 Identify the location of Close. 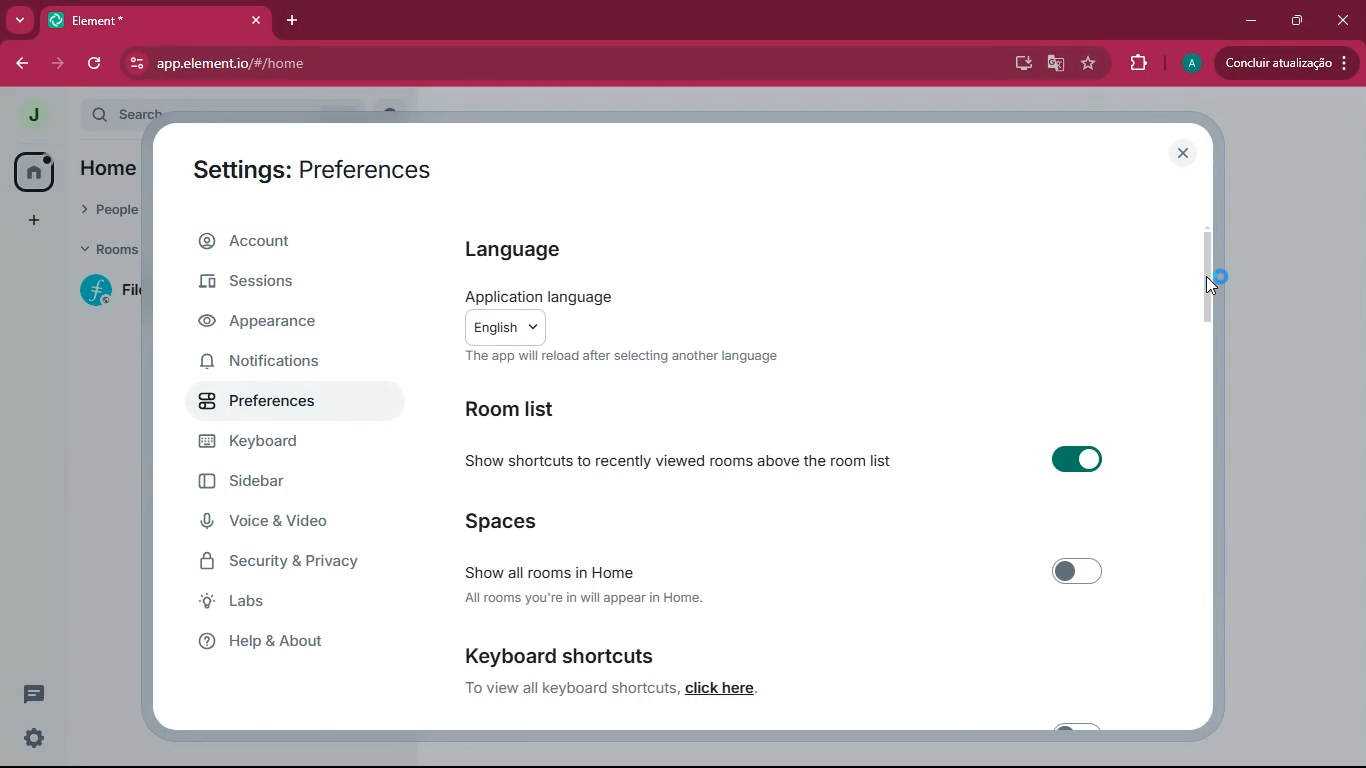
(254, 21).